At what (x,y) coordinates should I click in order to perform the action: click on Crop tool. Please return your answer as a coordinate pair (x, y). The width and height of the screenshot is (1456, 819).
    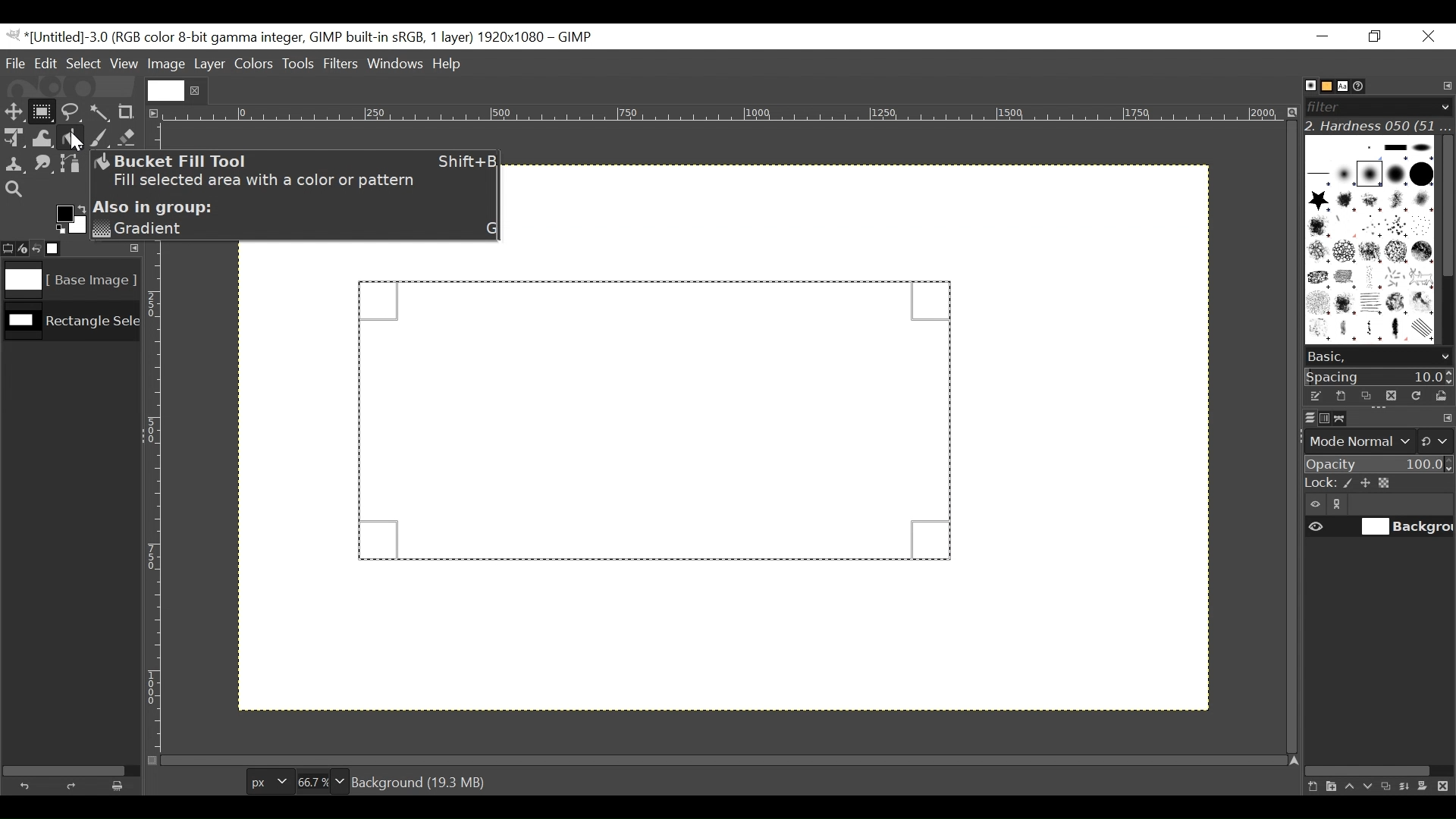
    Looking at the image, I should click on (133, 111).